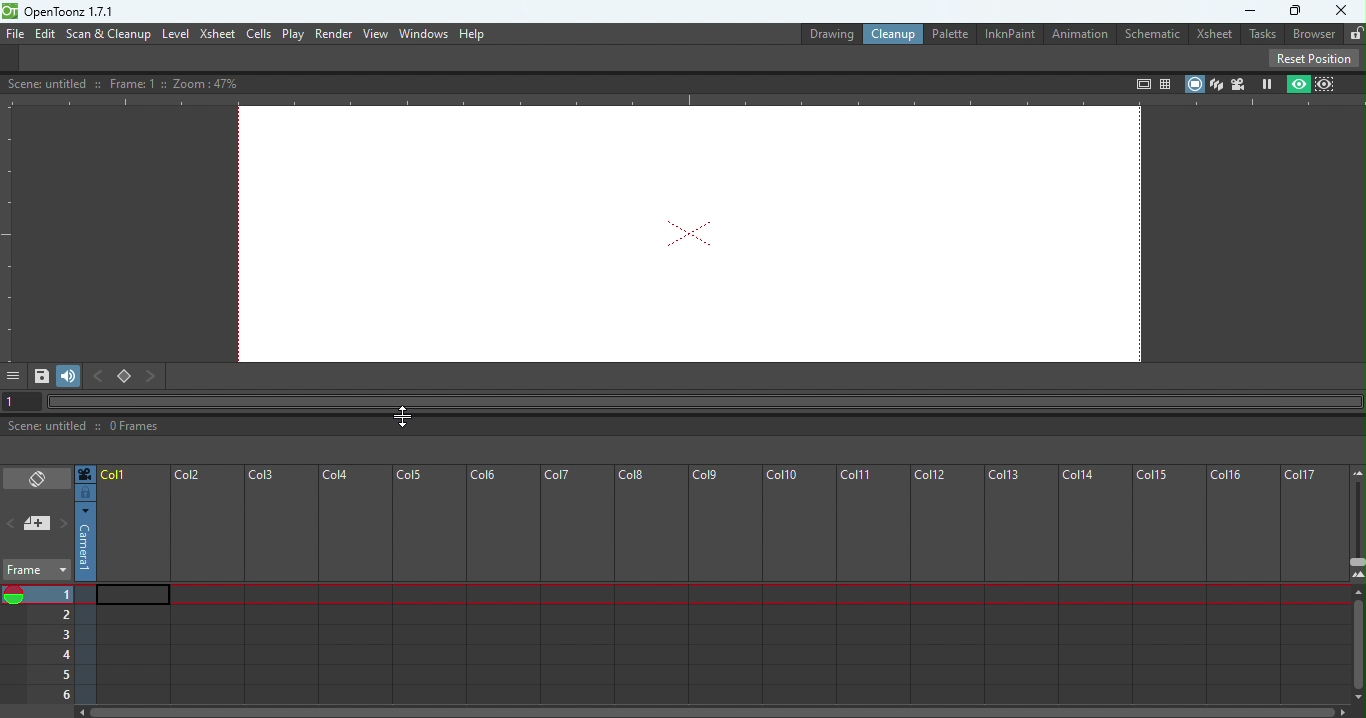  Describe the element at coordinates (127, 82) in the screenshot. I see `Canvas details` at that location.